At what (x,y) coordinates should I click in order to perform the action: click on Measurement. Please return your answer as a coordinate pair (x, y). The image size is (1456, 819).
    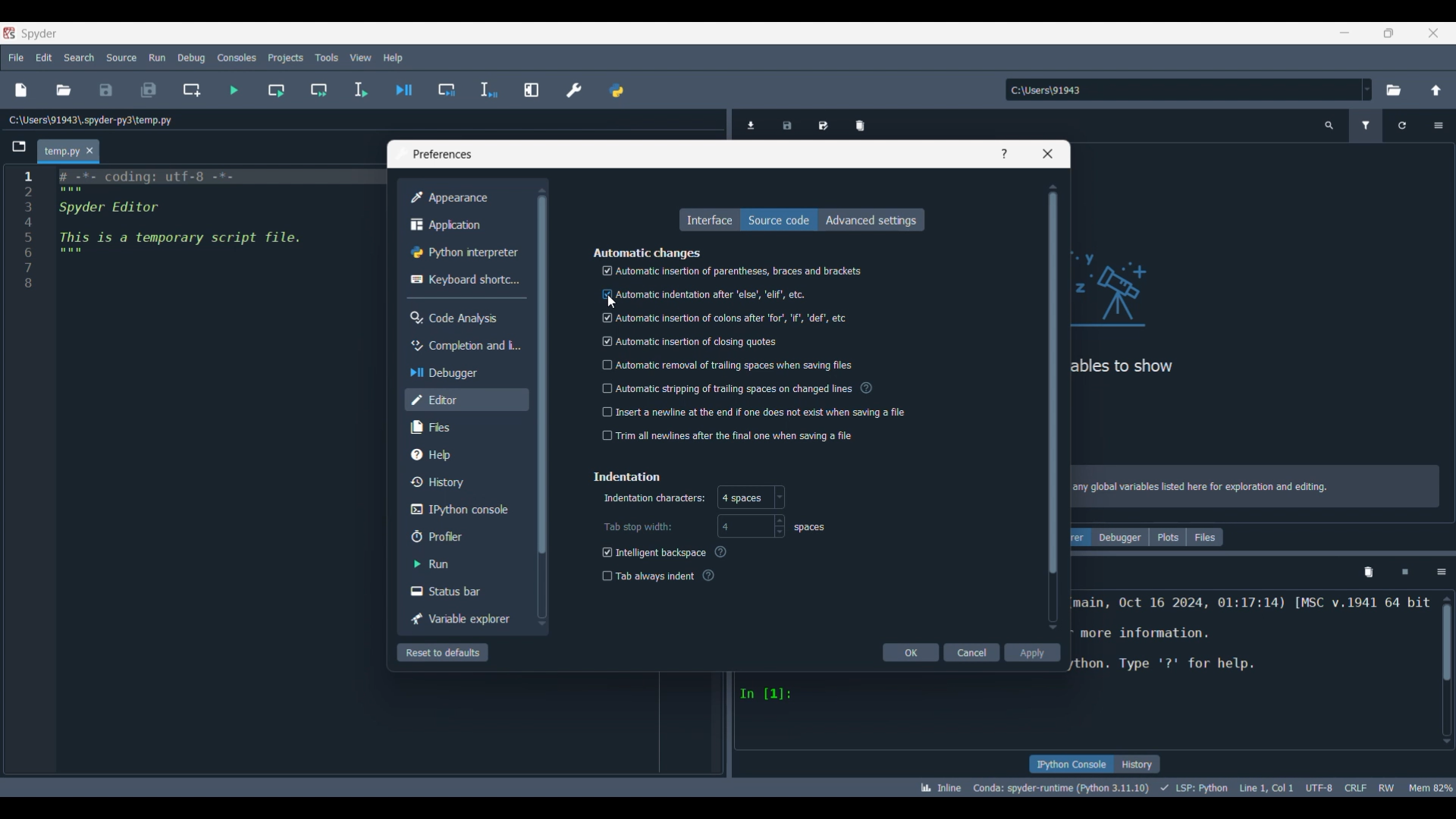
    Looking at the image, I should click on (810, 528).